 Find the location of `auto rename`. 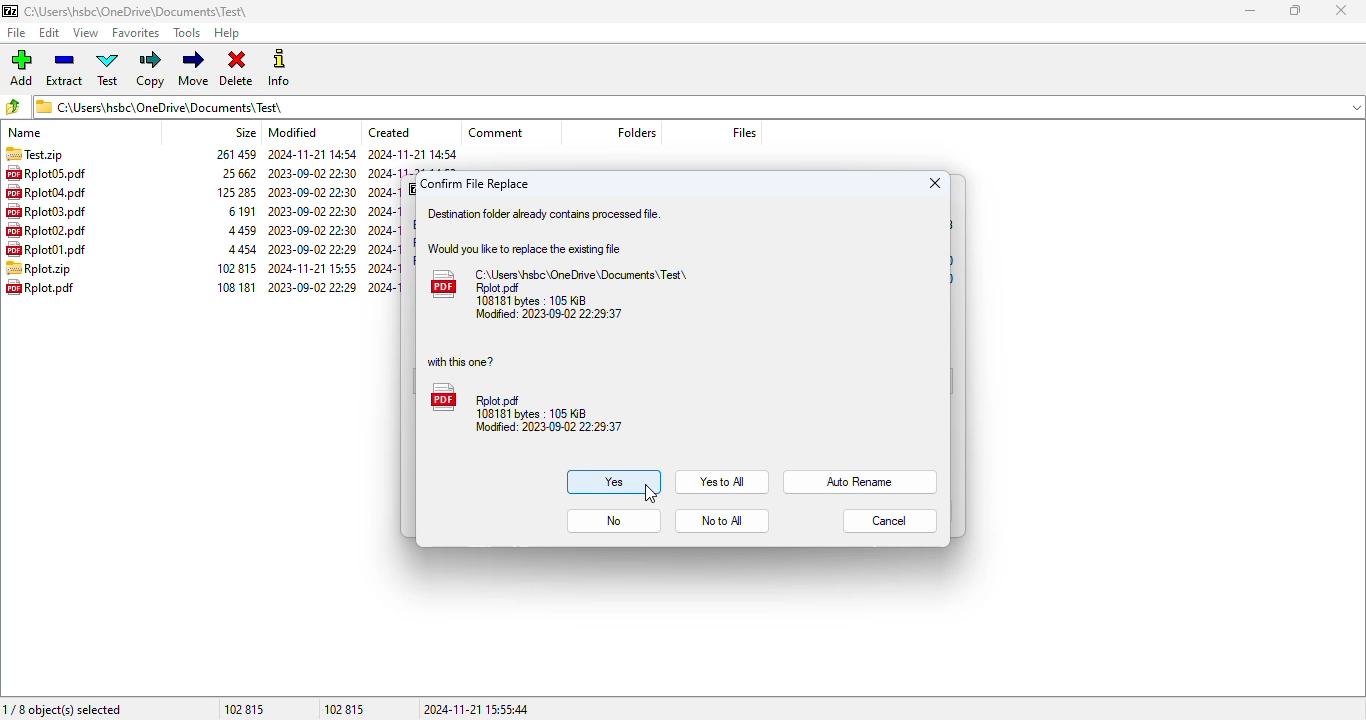

auto rename is located at coordinates (861, 482).